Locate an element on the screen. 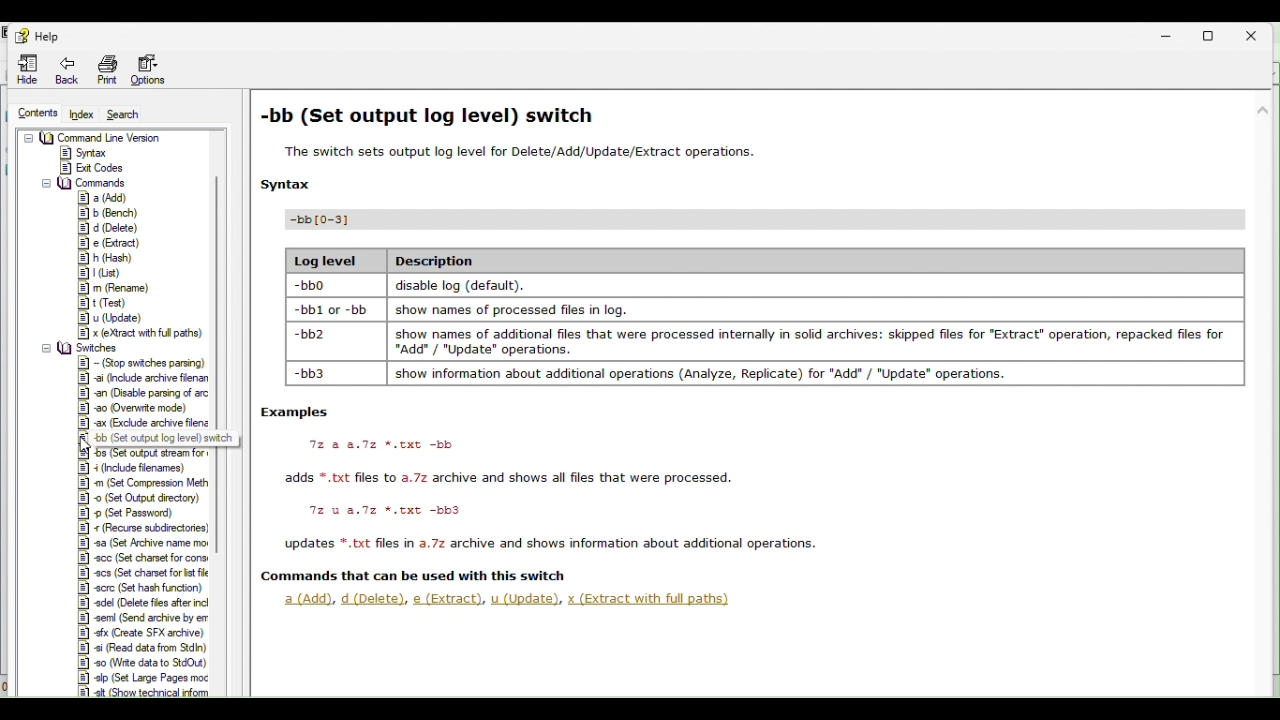 The height and width of the screenshot is (720, 1280). #1 git (Show technical nfom is located at coordinates (150, 692).